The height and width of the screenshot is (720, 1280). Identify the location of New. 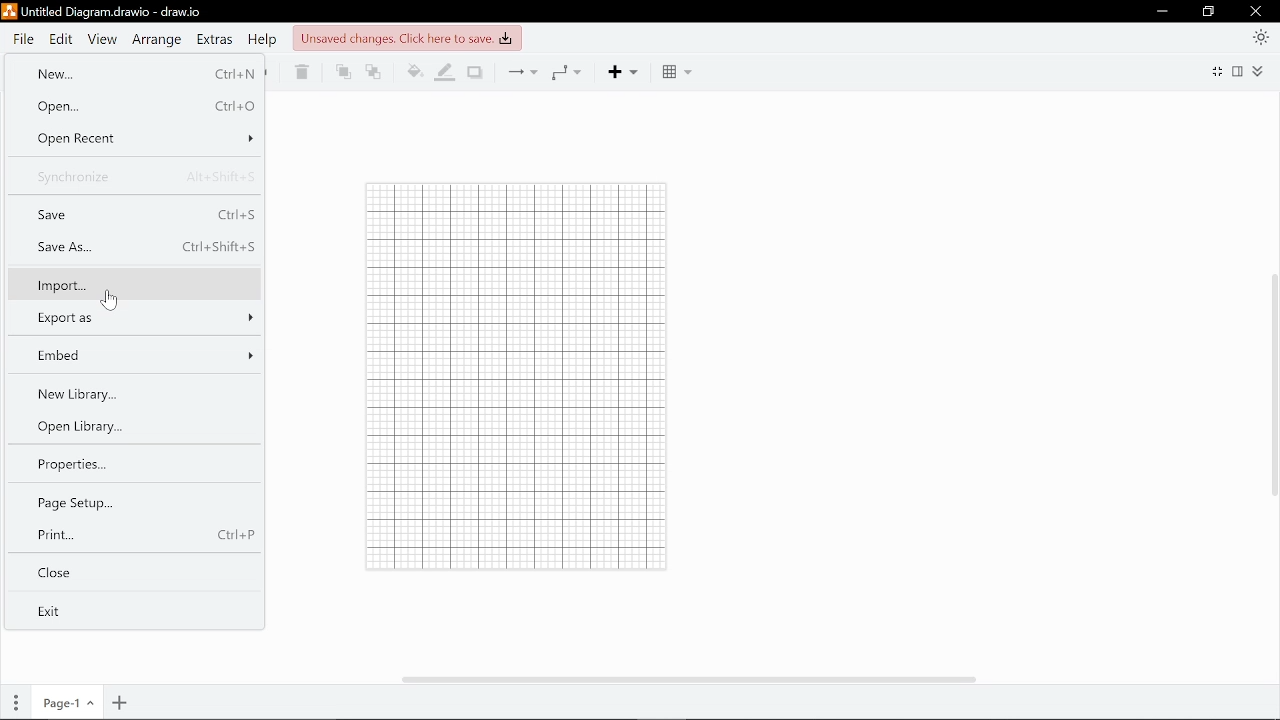
(136, 74).